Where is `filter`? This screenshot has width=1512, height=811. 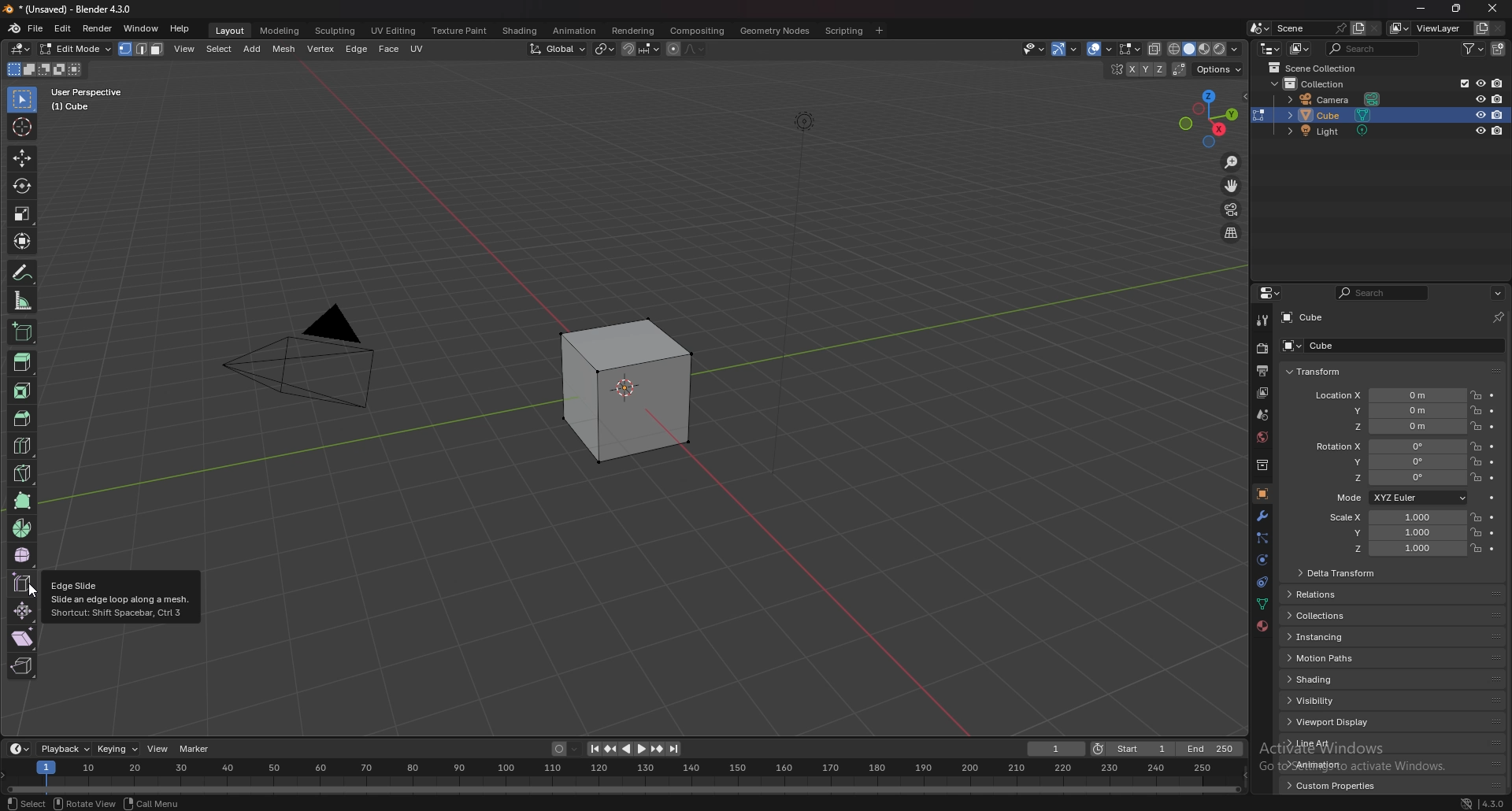 filter is located at coordinates (1475, 48).